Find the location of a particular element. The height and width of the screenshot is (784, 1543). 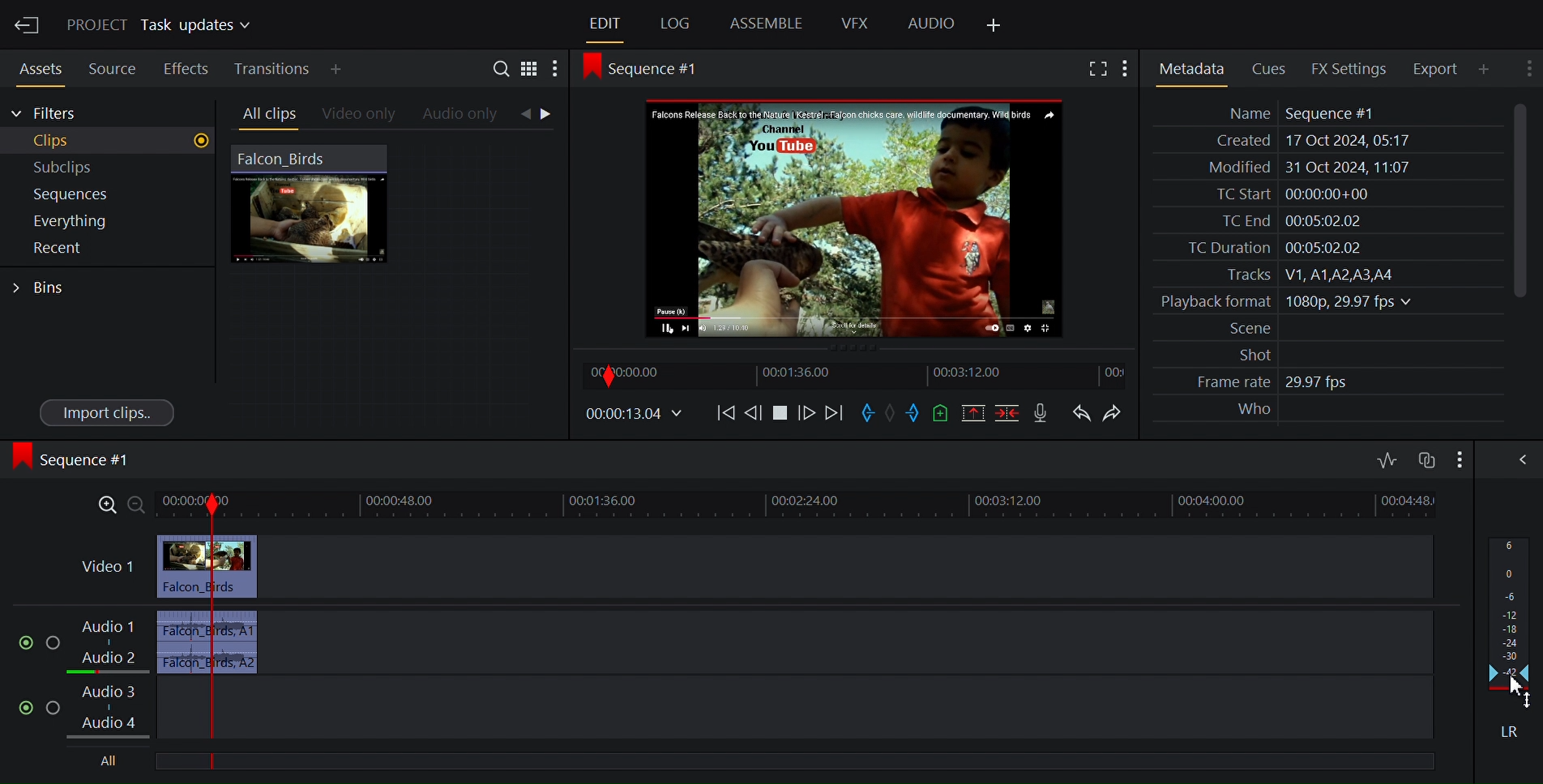

Show settings menu is located at coordinates (1458, 458).